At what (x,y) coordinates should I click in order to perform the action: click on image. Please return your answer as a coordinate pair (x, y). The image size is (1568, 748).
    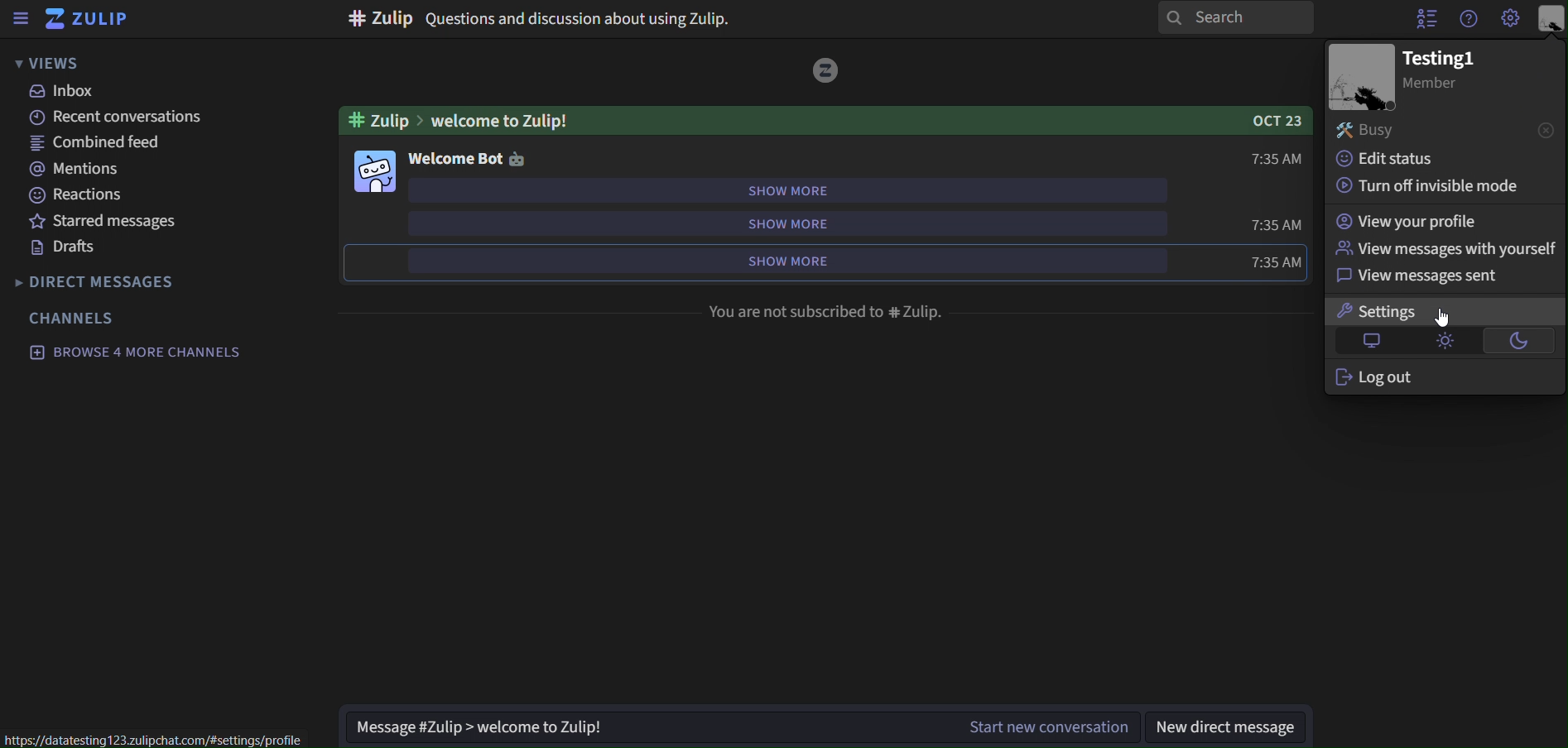
    Looking at the image, I should click on (827, 72).